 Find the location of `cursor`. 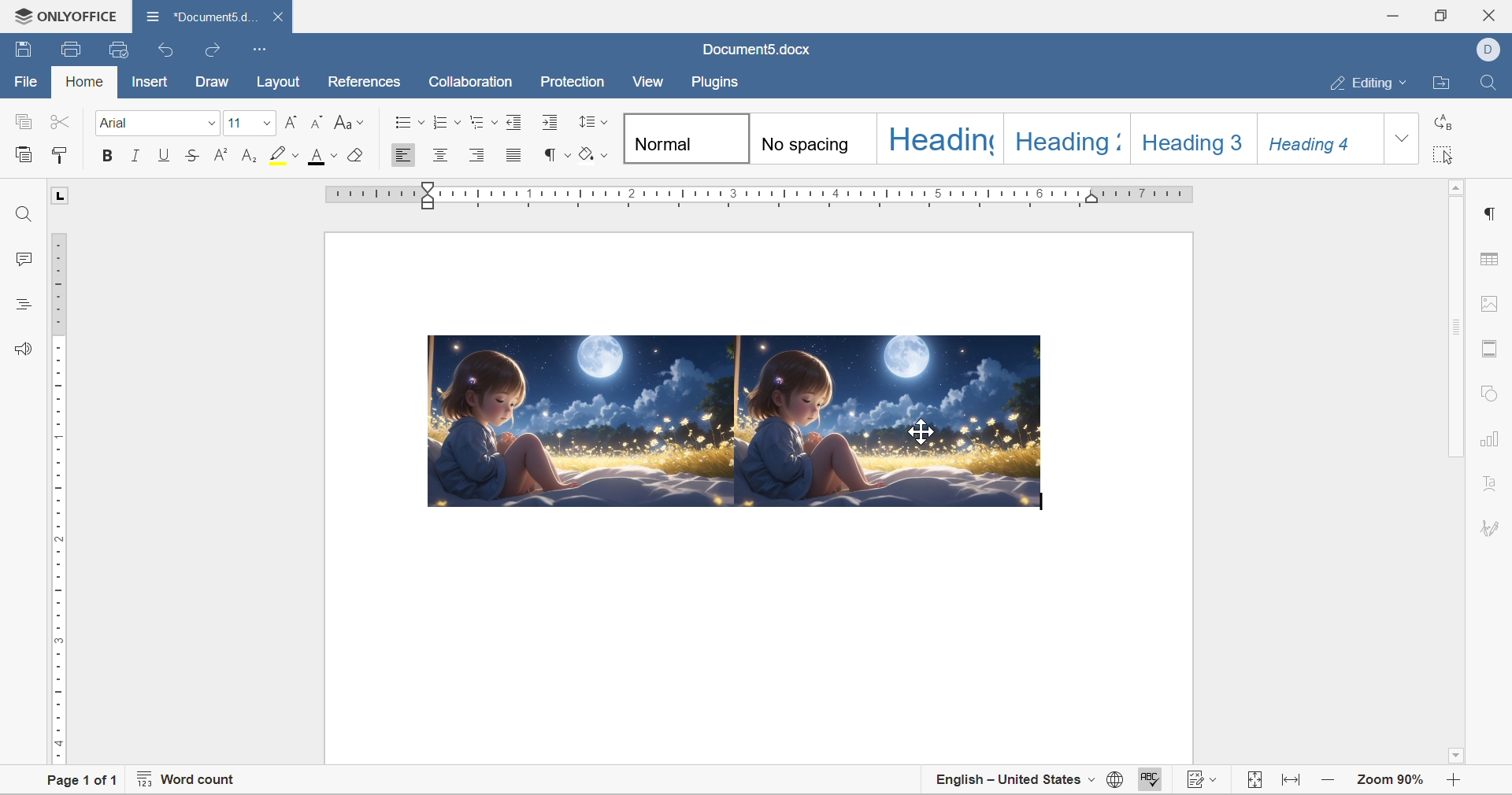

cursor is located at coordinates (923, 432).